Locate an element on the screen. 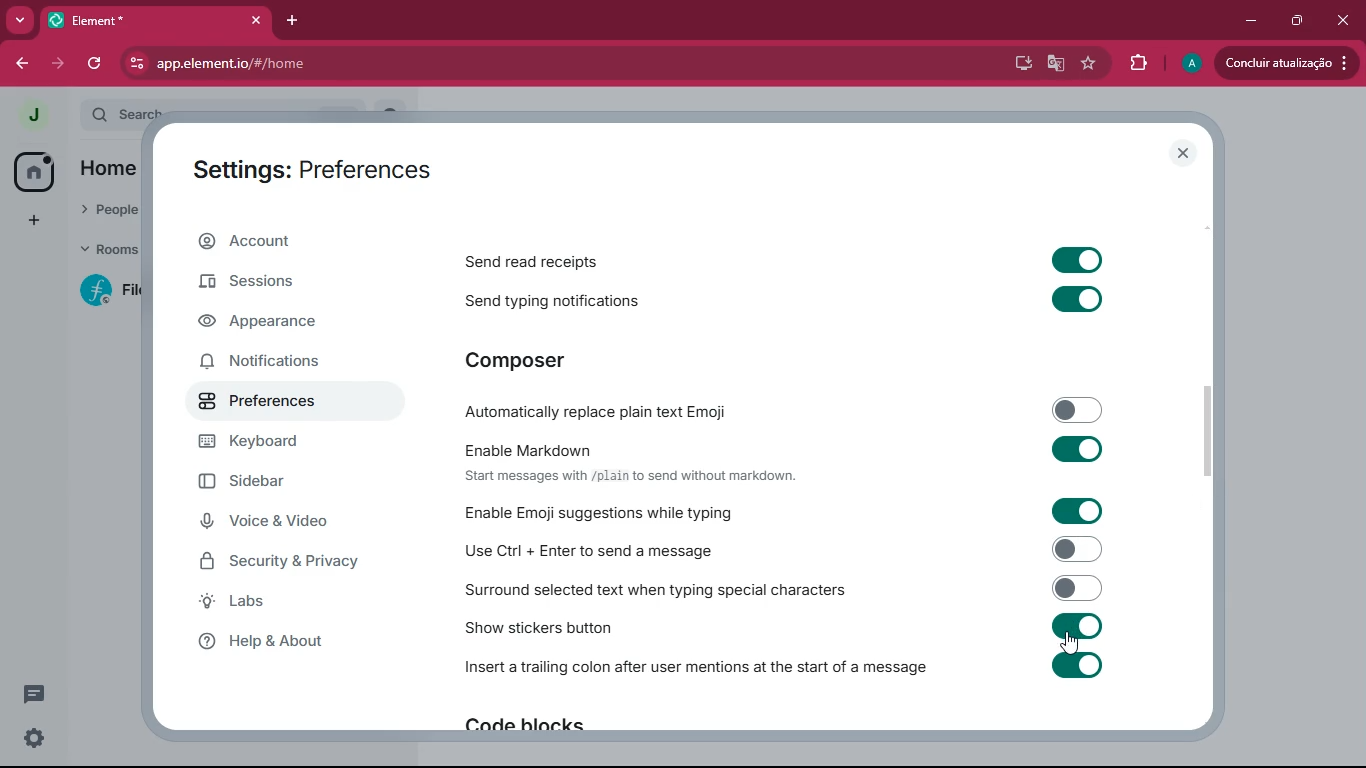 This screenshot has width=1366, height=768. Send read receipts is located at coordinates (779, 258).